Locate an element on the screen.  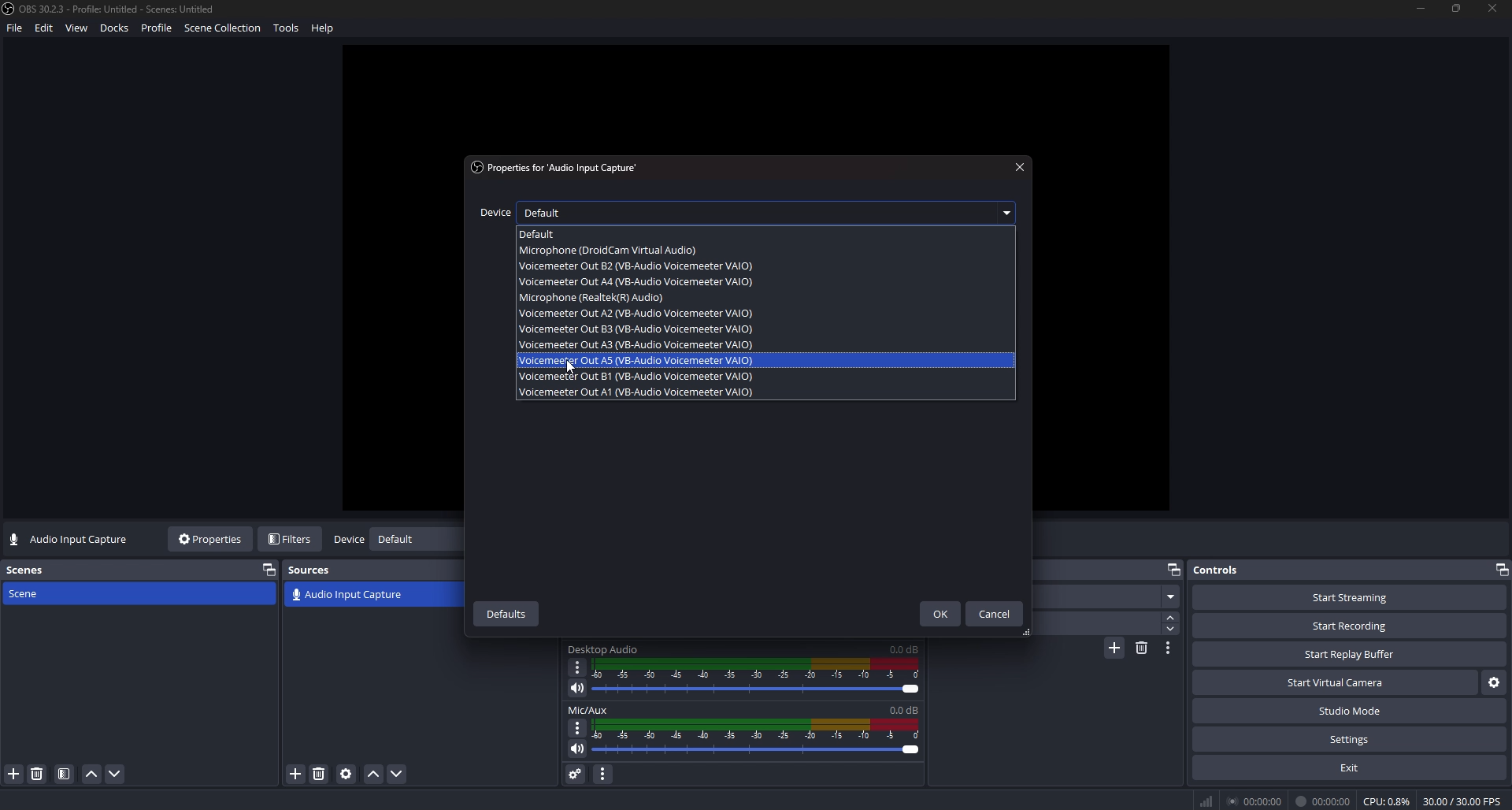
minimise is located at coordinates (1499, 567).